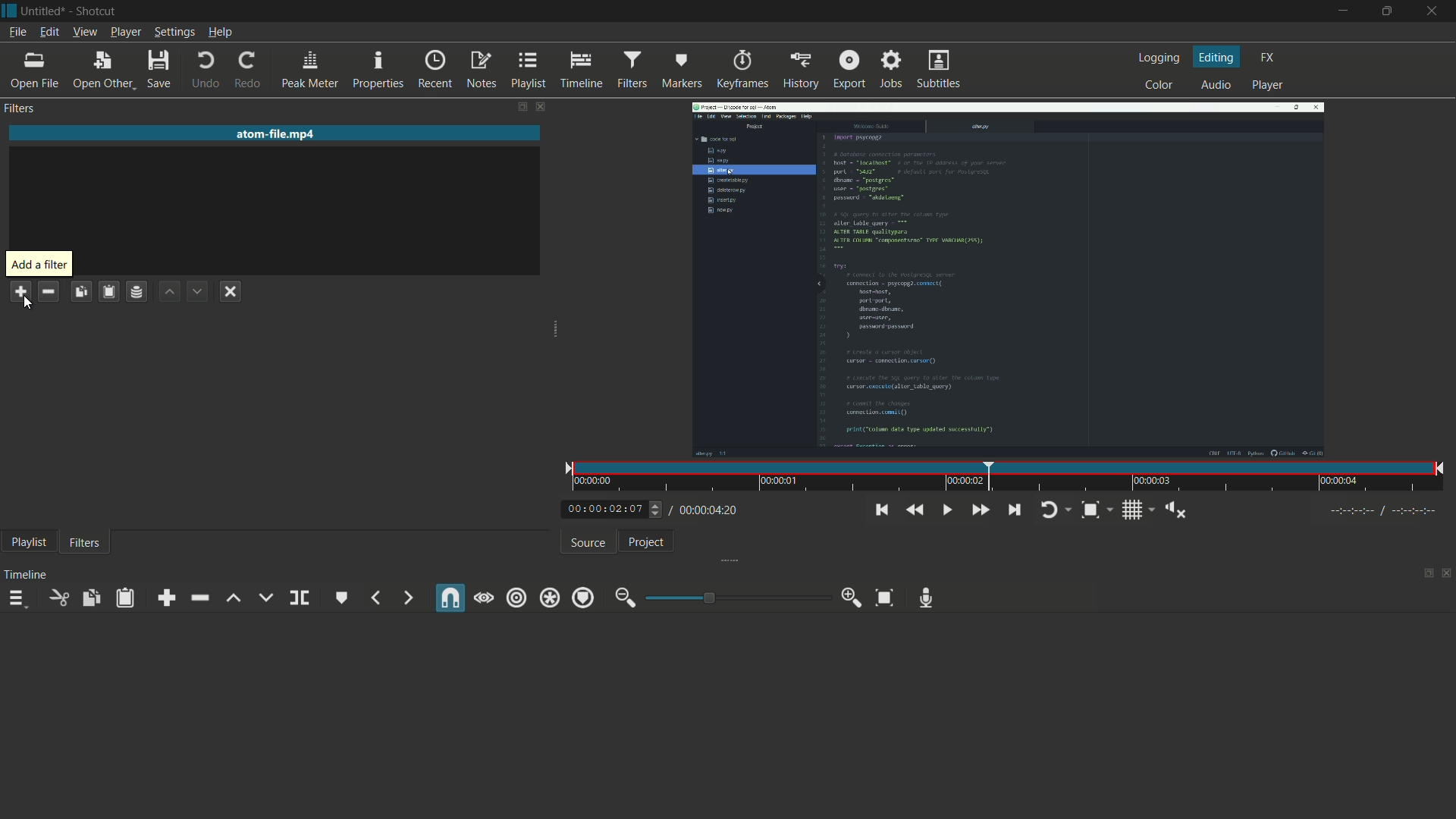 Image resolution: width=1456 pixels, height=819 pixels. I want to click on record audio, so click(927, 598).